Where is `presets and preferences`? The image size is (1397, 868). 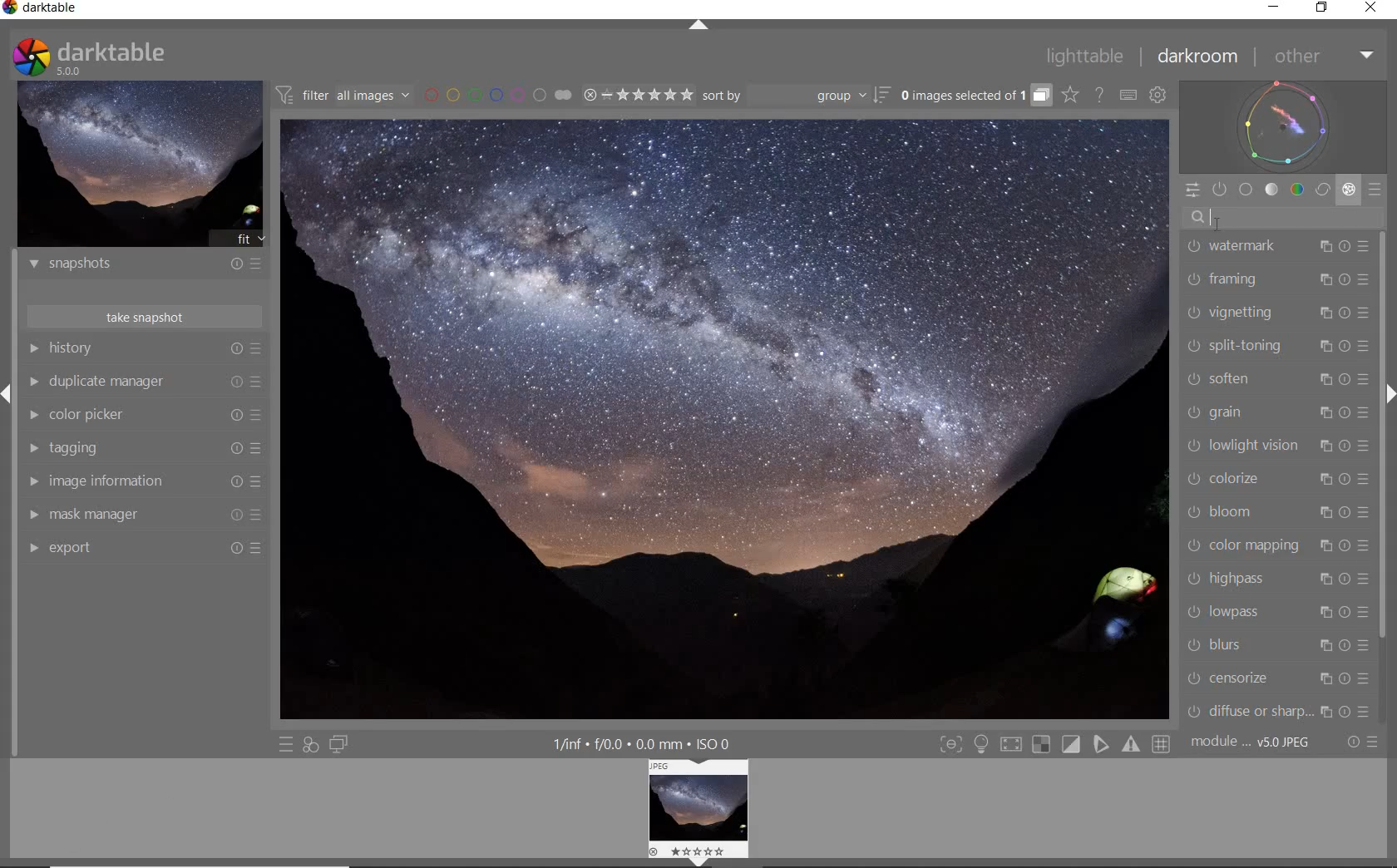 presets and preferences is located at coordinates (257, 348).